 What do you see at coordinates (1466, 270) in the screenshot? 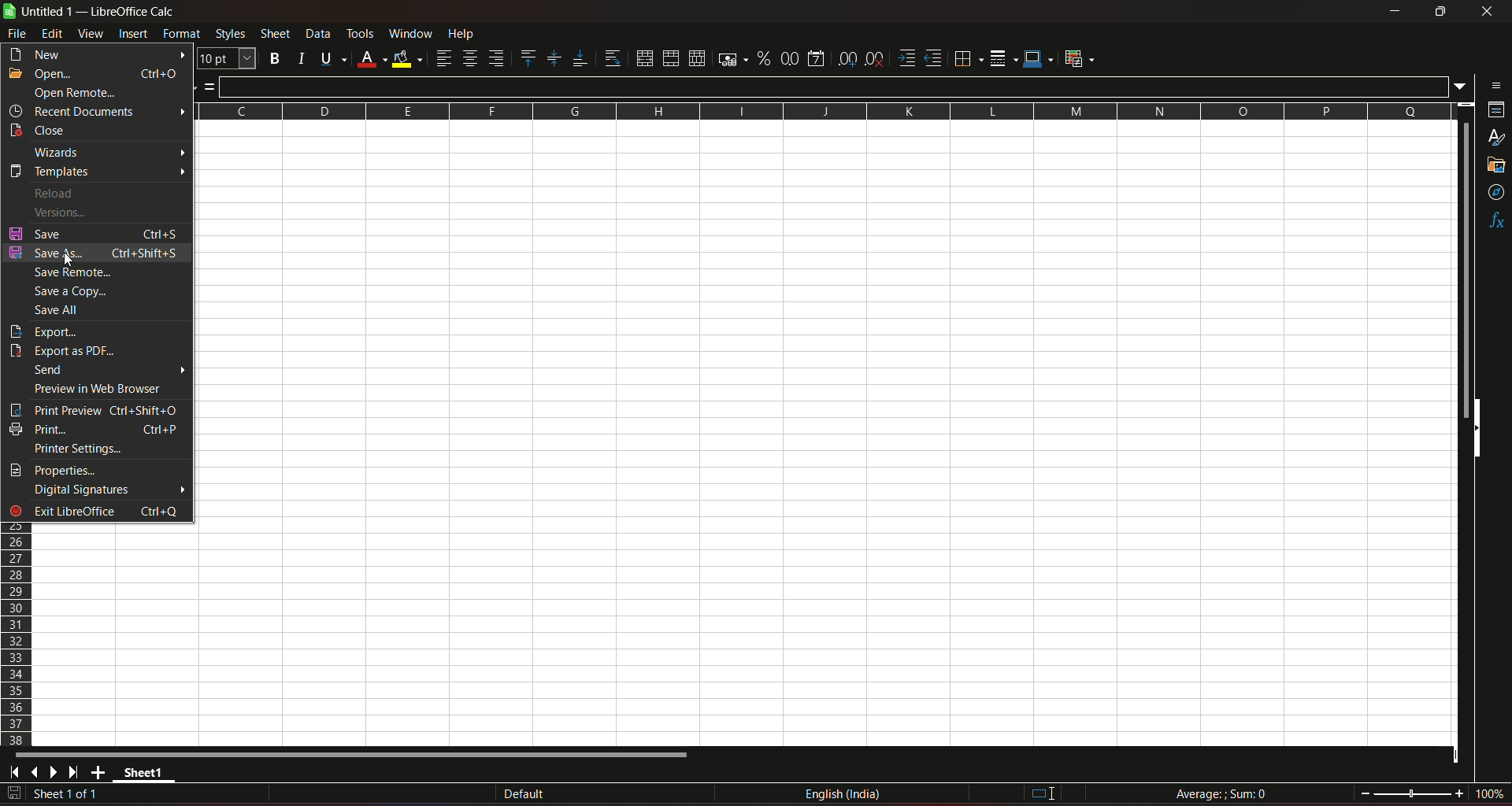
I see `vertical scroll bar` at bounding box center [1466, 270].